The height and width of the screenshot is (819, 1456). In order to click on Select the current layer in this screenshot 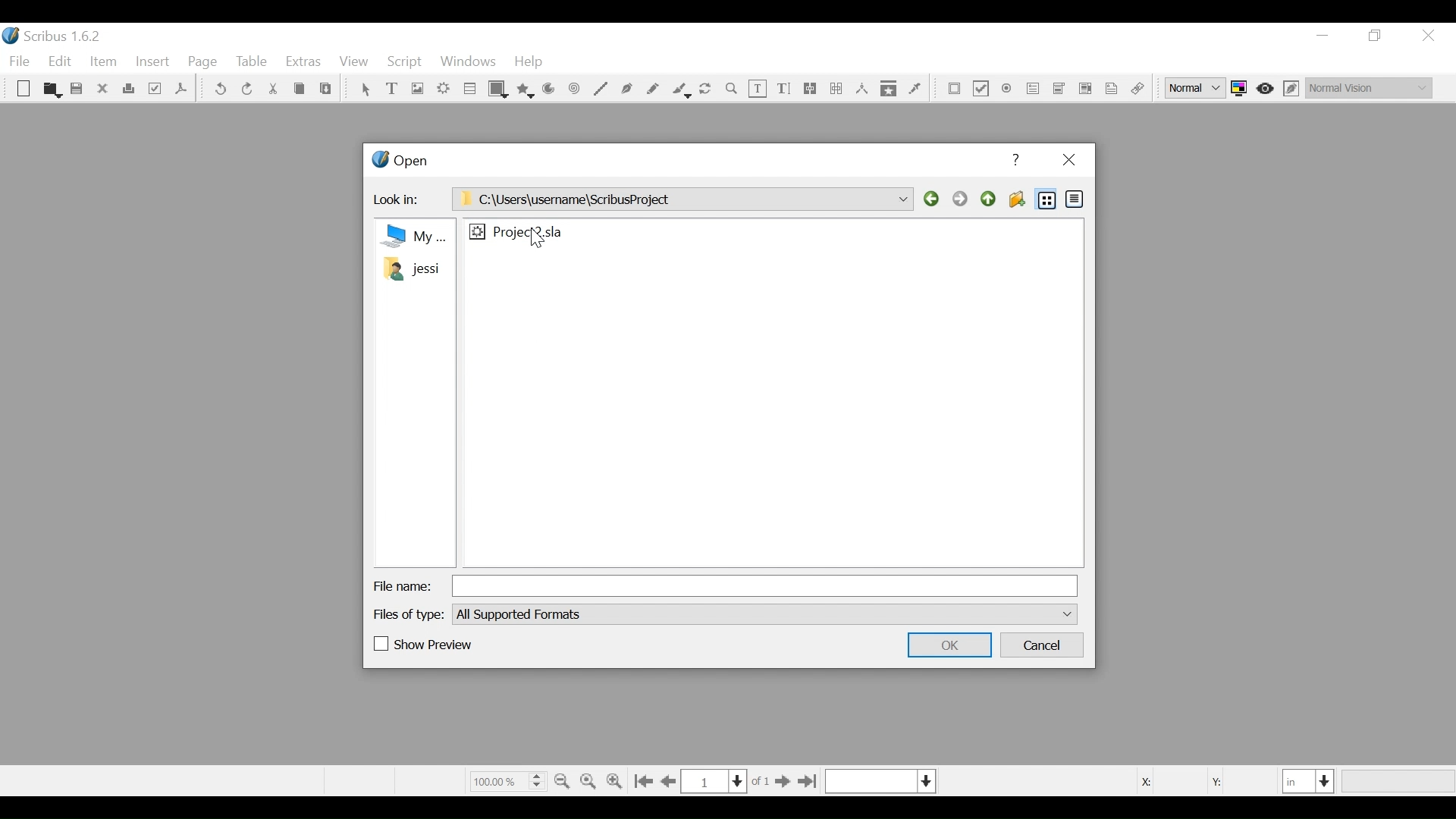, I will do `click(880, 781)`.